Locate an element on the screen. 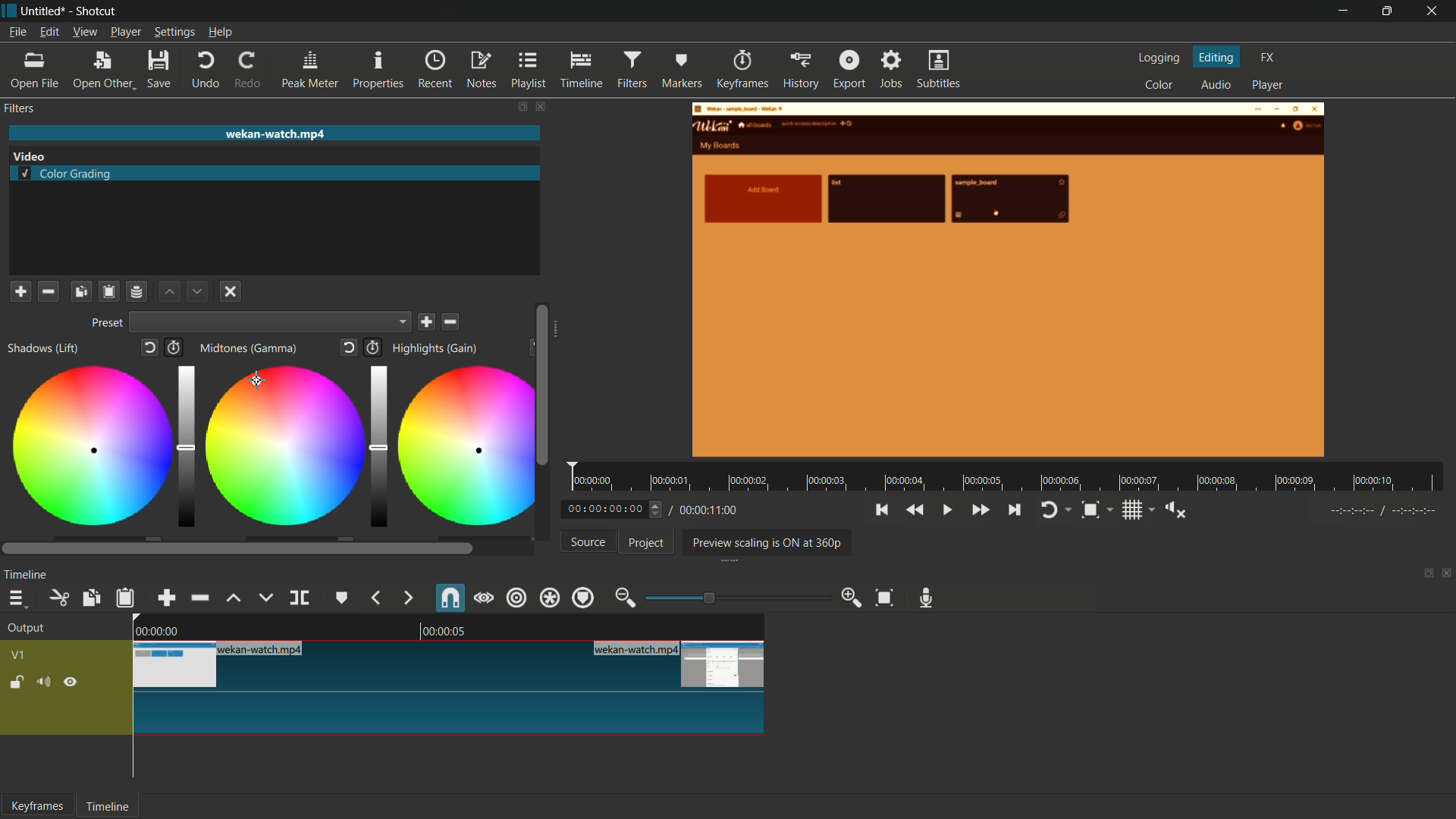 The height and width of the screenshot is (819, 1456). close filter is located at coordinates (540, 107).